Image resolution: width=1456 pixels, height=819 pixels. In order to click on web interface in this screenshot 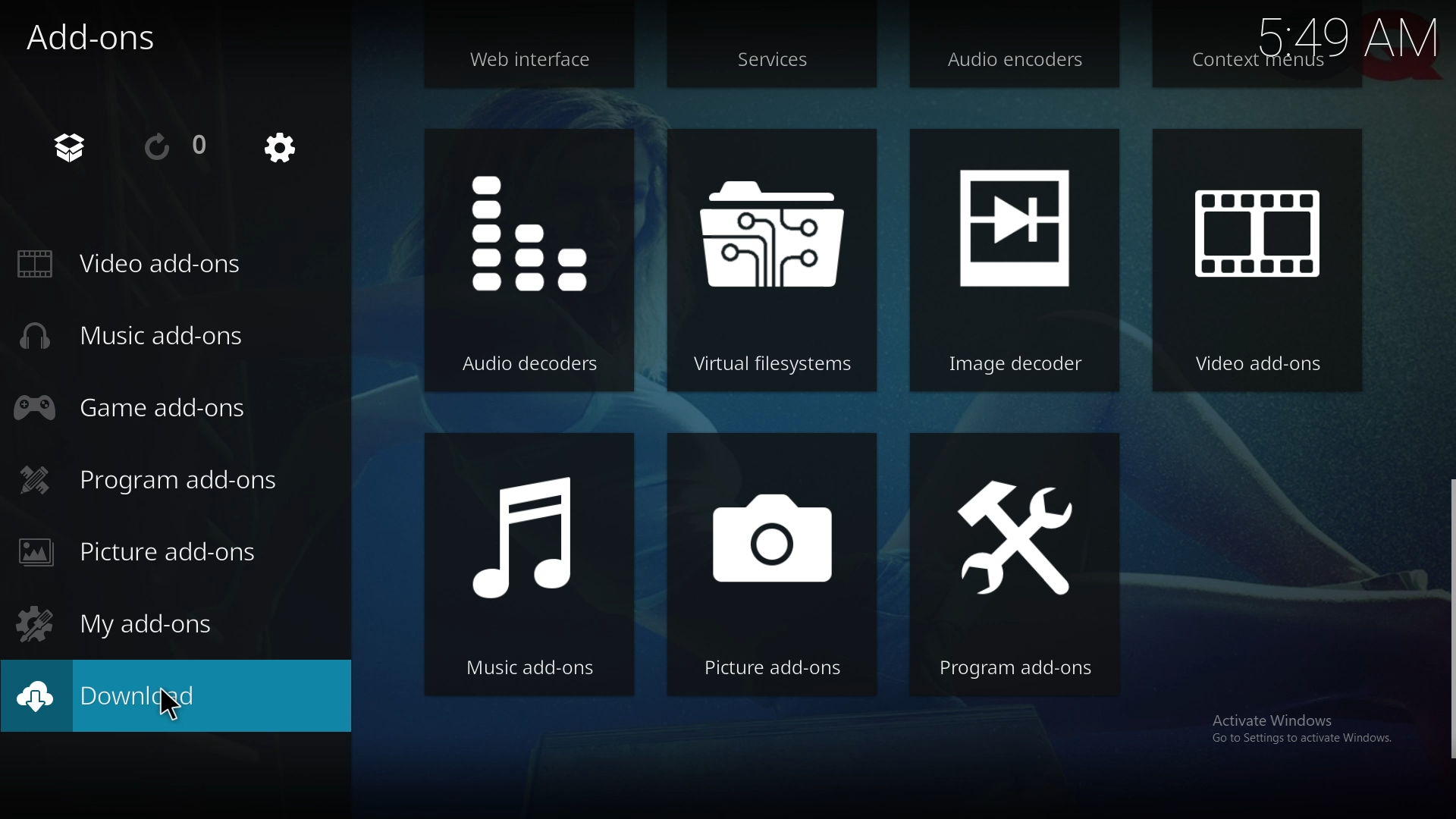, I will do `click(540, 45)`.